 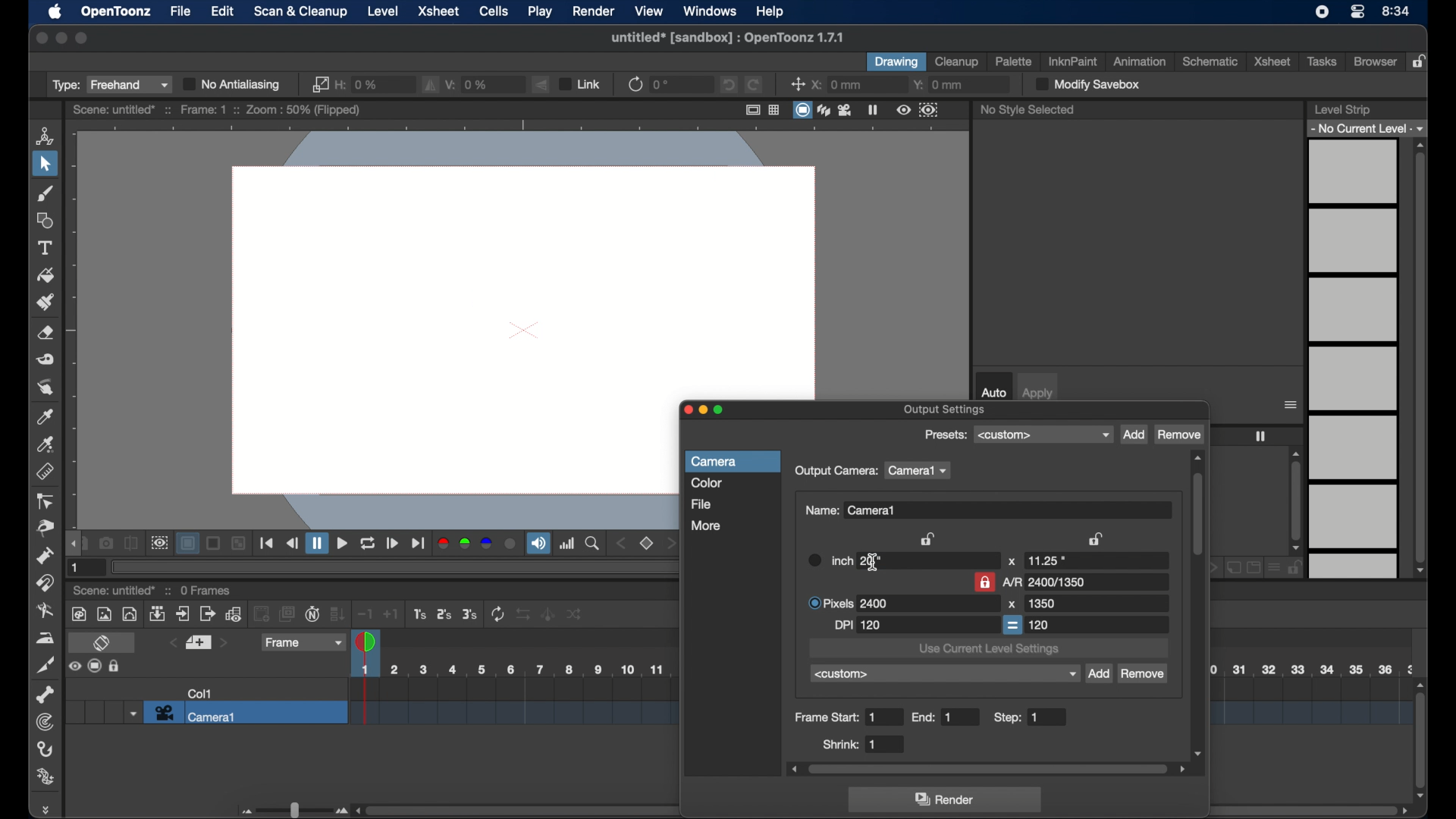 What do you see at coordinates (394, 614) in the screenshot?
I see `` at bounding box center [394, 614].